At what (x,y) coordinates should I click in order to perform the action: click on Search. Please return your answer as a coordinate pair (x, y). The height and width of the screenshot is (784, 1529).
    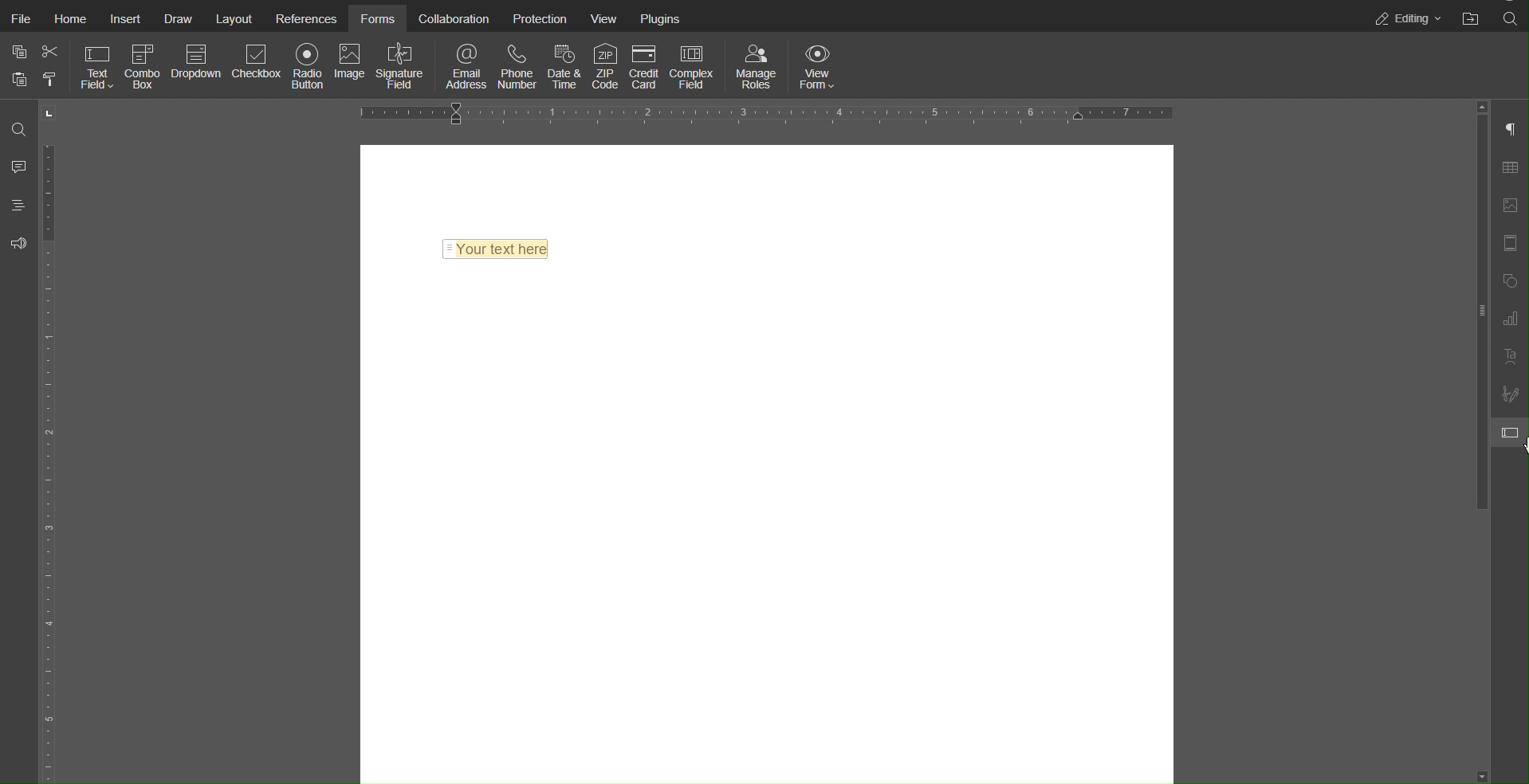
    Looking at the image, I should click on (1510, 18).